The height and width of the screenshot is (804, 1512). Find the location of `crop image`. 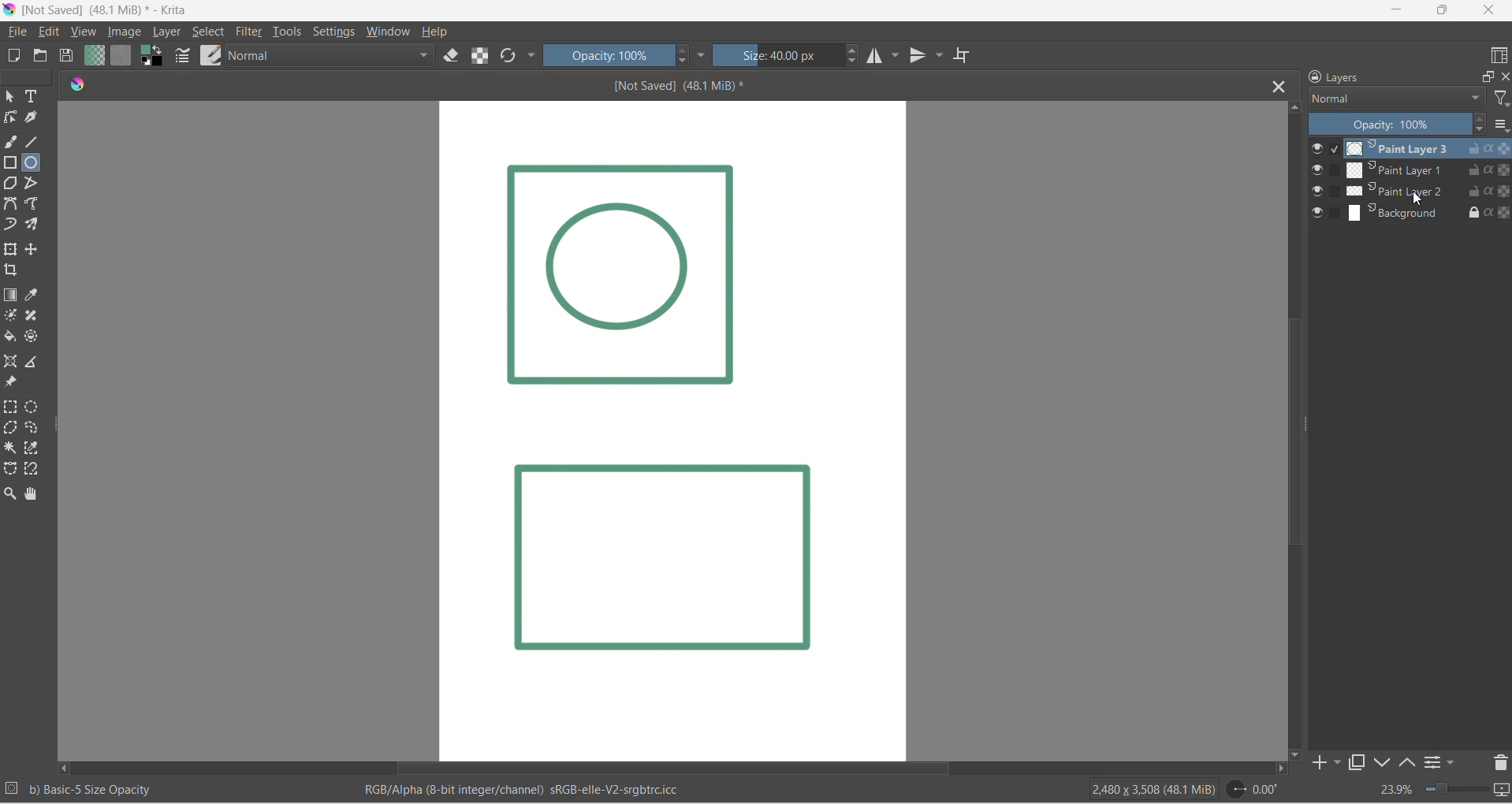

crop image is located at coordinates (14, 272).